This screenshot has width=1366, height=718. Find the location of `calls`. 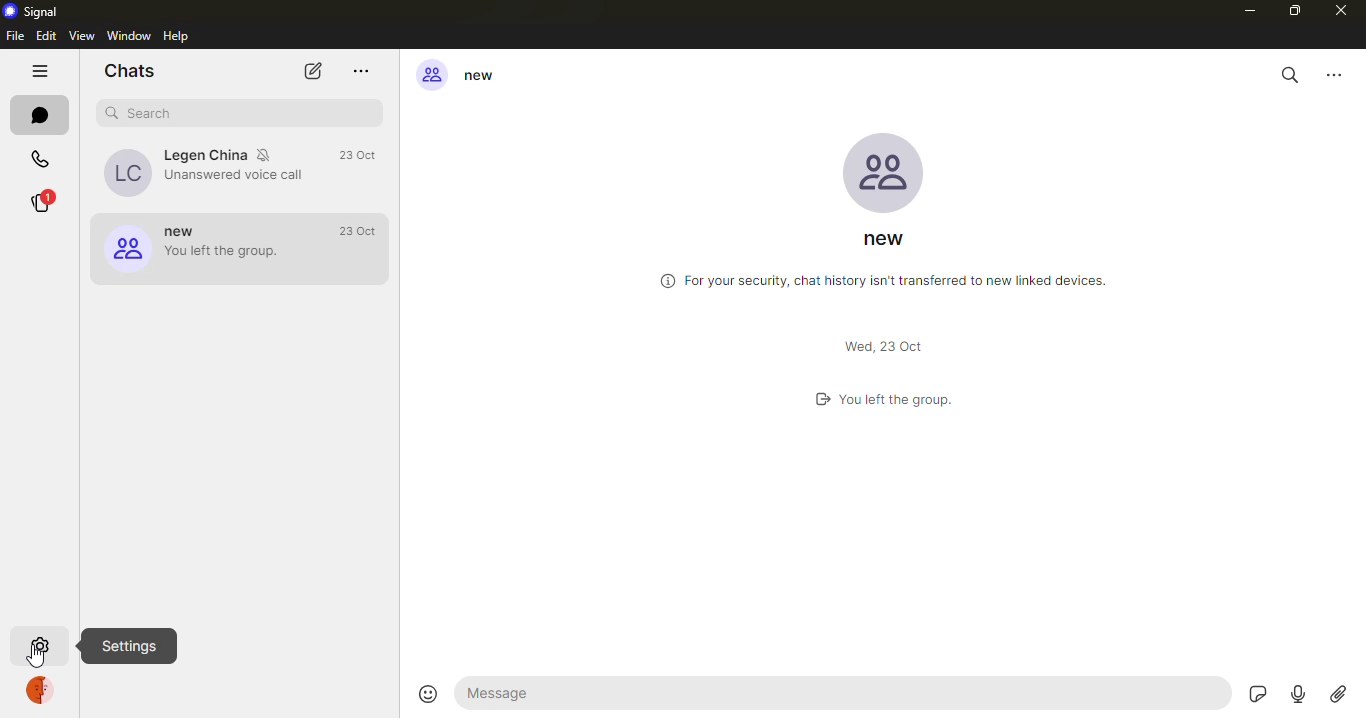

calls is located at coordinates (40, 160).